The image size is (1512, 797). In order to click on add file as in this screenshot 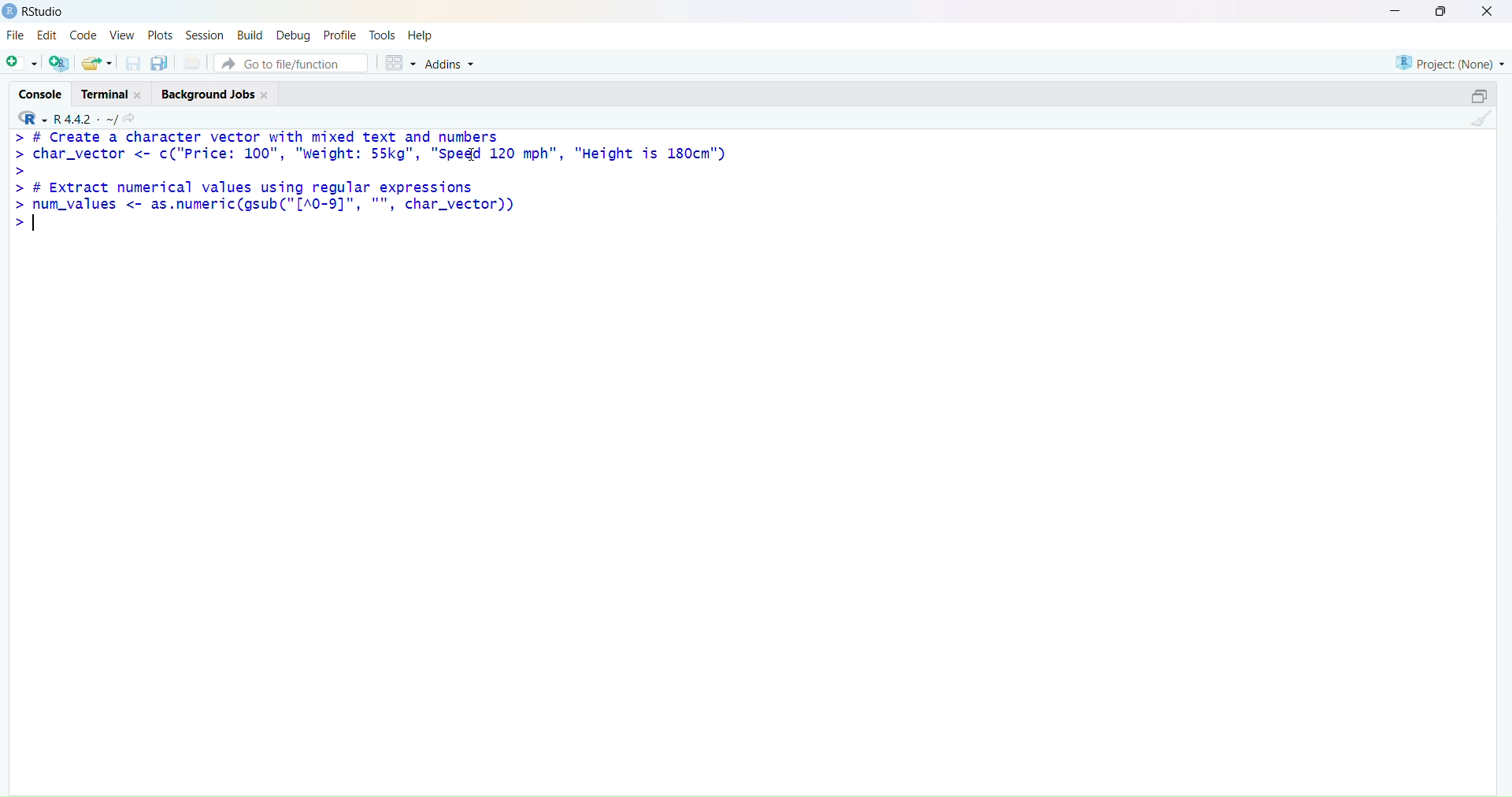, I will do `click(22, 64)`.